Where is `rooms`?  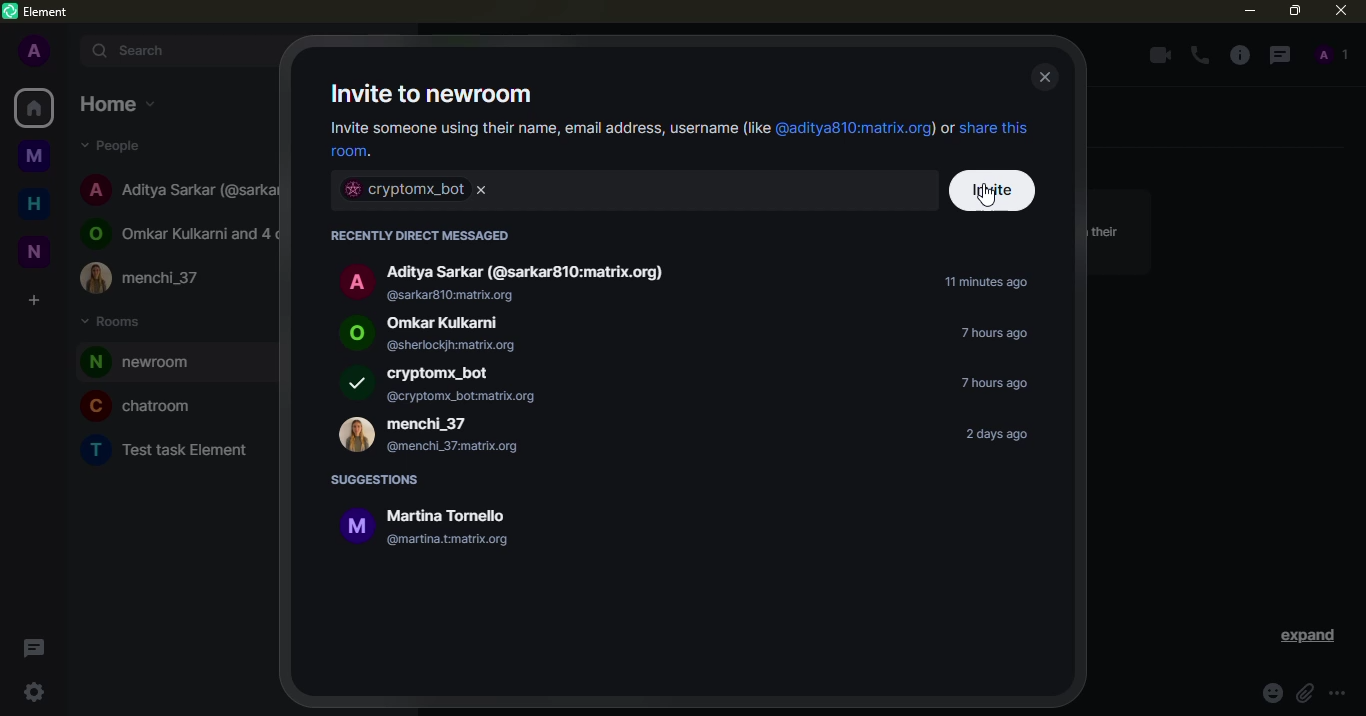
rooms is located at coordinates (114, 323).